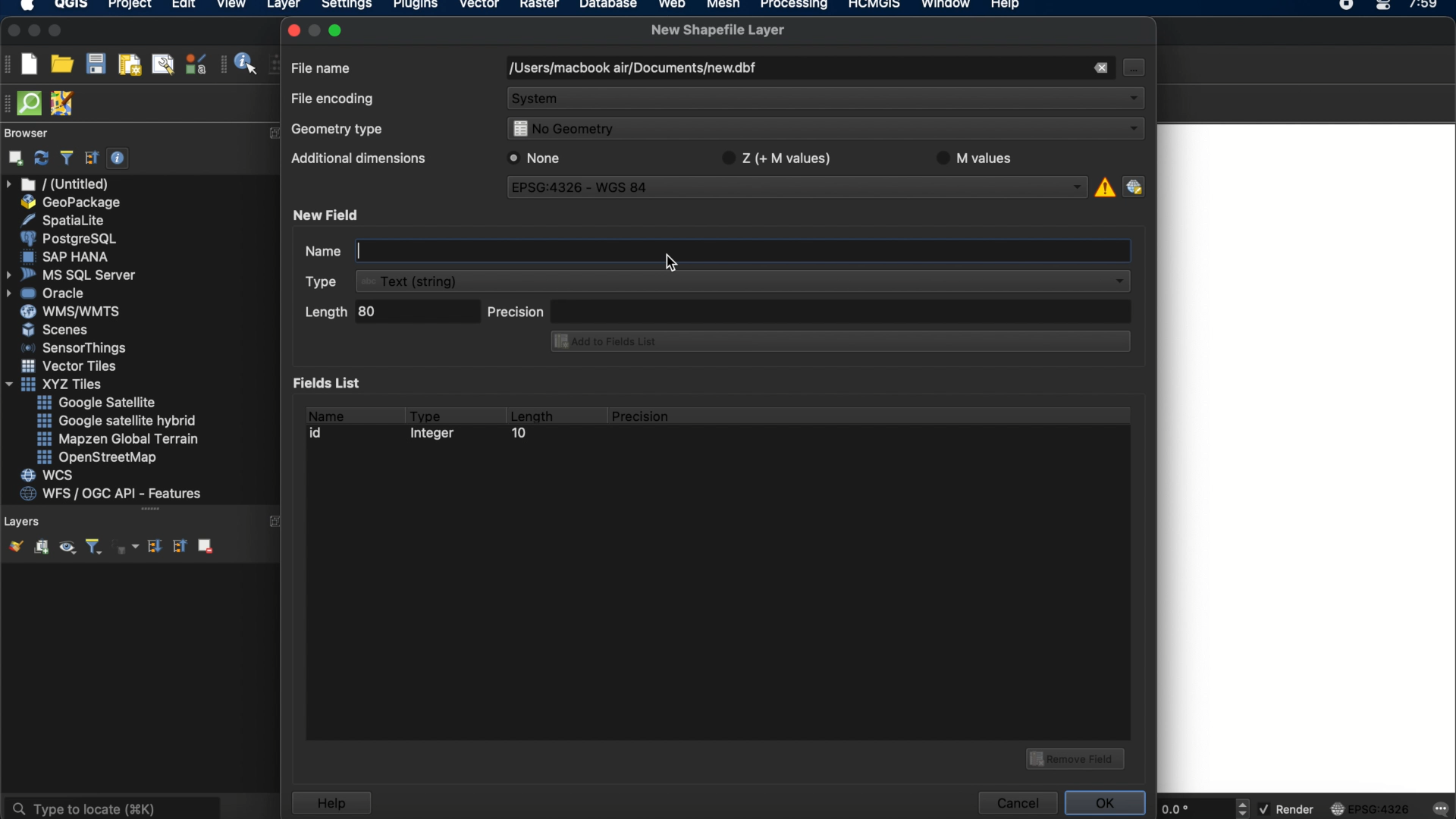 The width and height of the screenshot is (1456, 819). I want to click on vector, so click(480, 6).